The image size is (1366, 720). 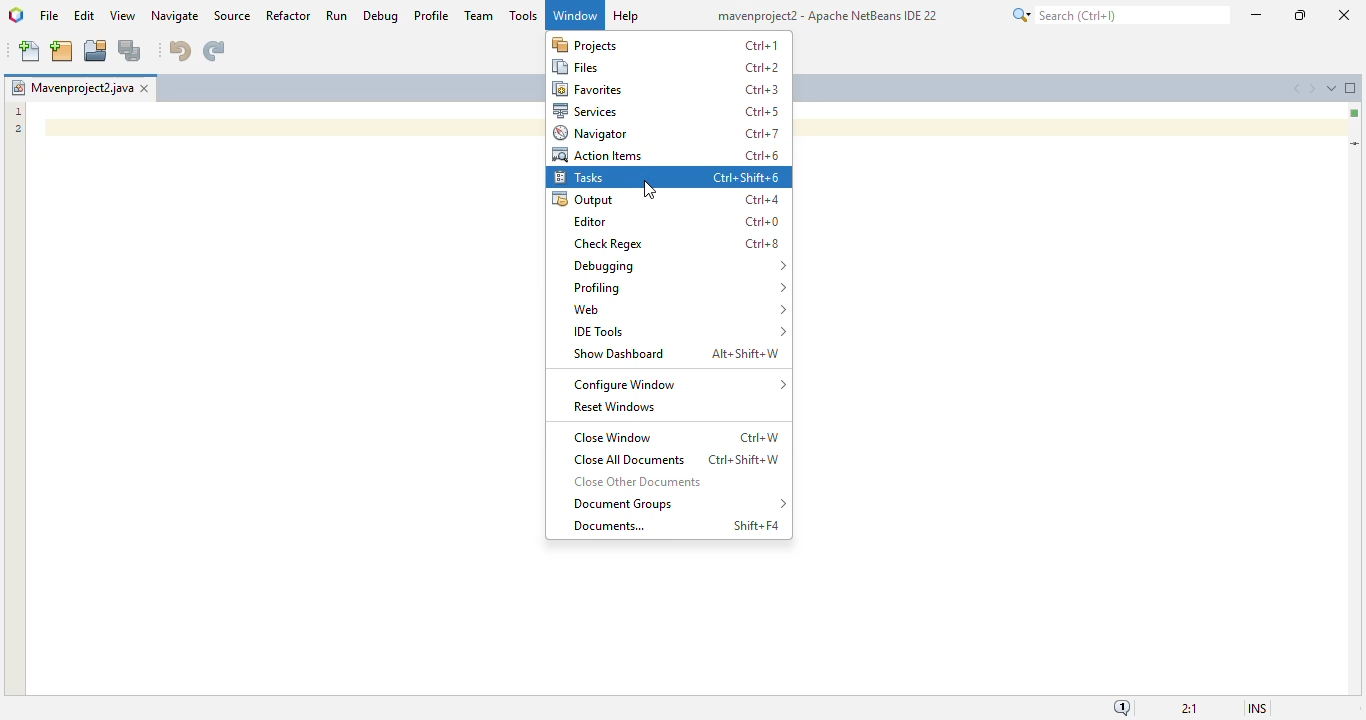 I want to click on documents, so click(x=609, y=525).